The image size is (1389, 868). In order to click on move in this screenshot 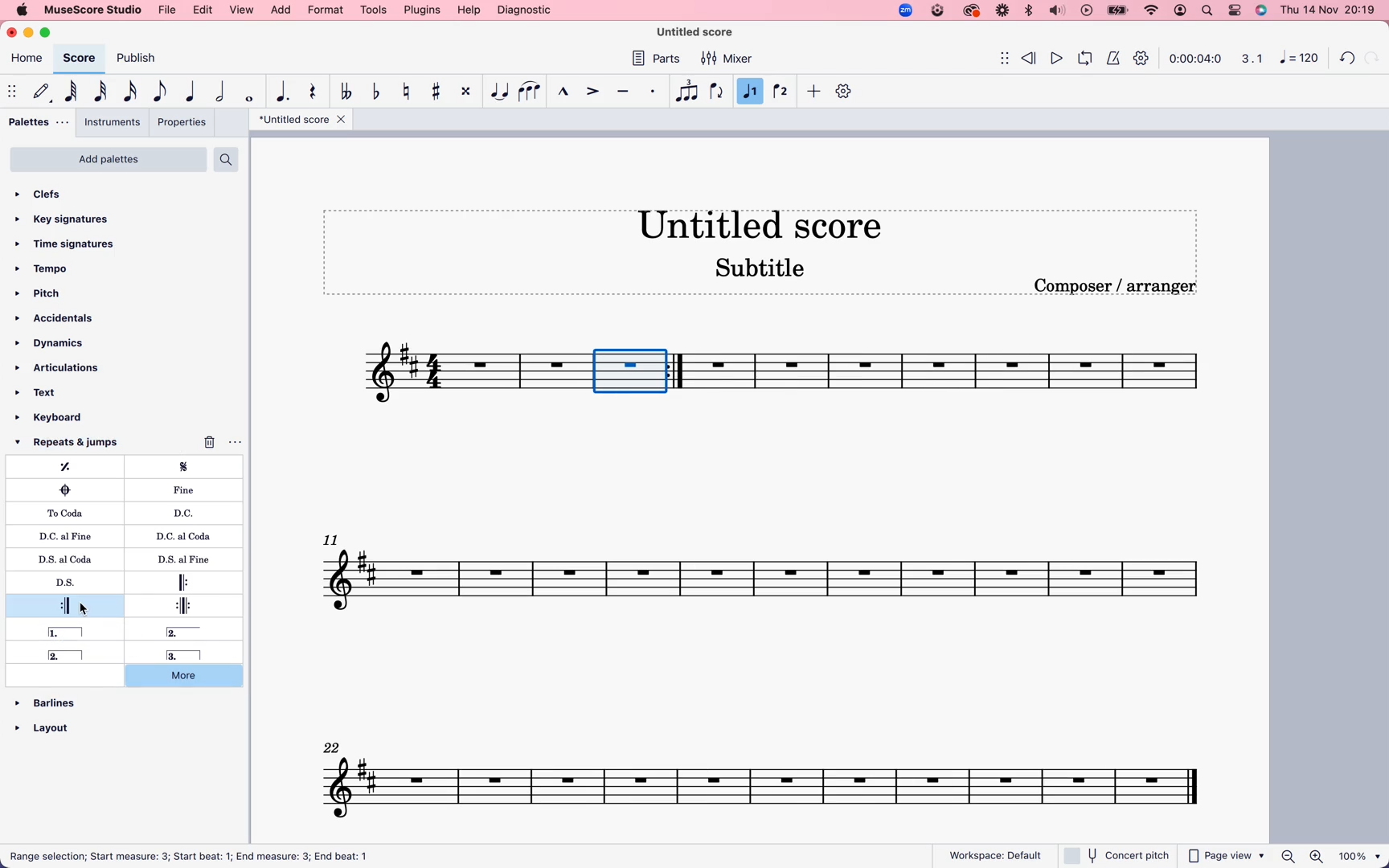, I will do `click(997, 57)`.